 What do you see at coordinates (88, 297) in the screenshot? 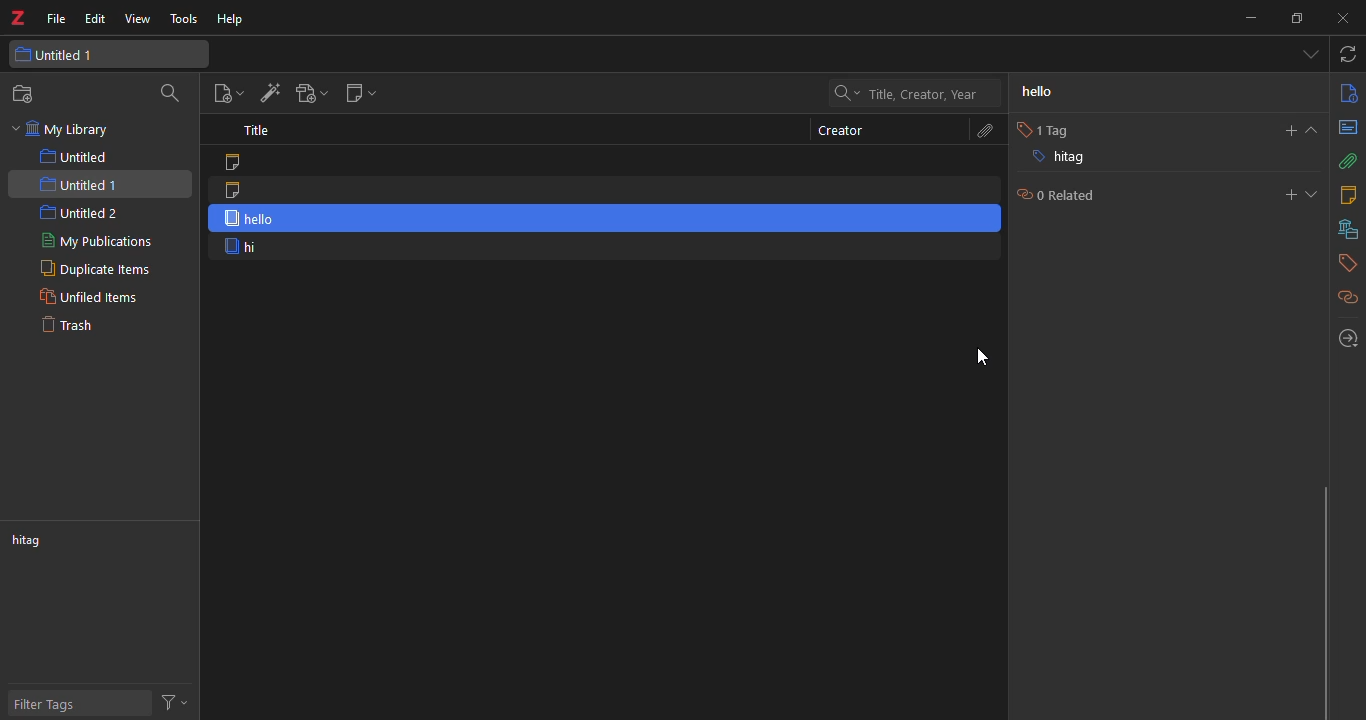
I see `unfiled items` at bounding box center [88, 297].